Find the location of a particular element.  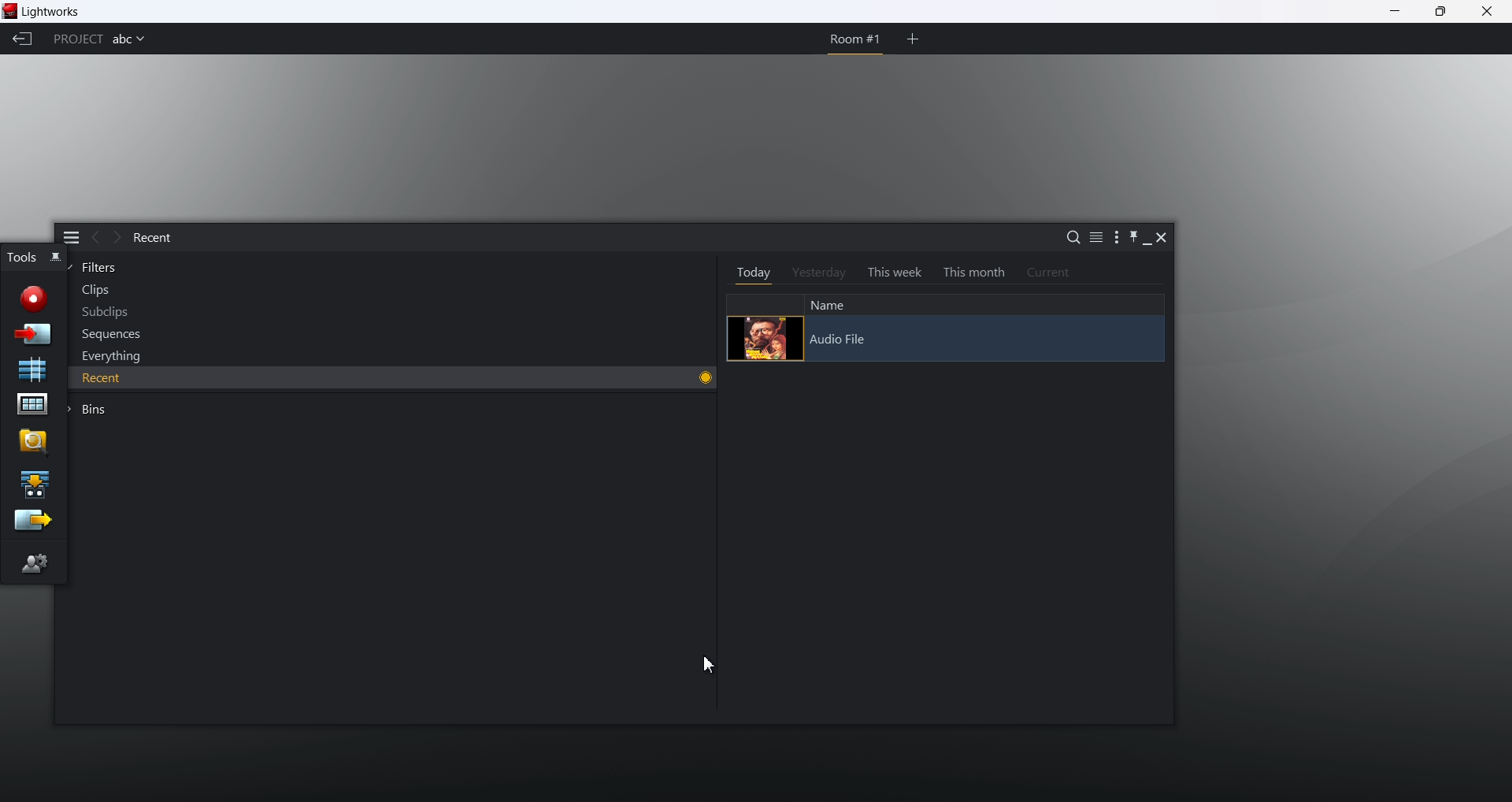

sequences is located at coordinates (106, 336).